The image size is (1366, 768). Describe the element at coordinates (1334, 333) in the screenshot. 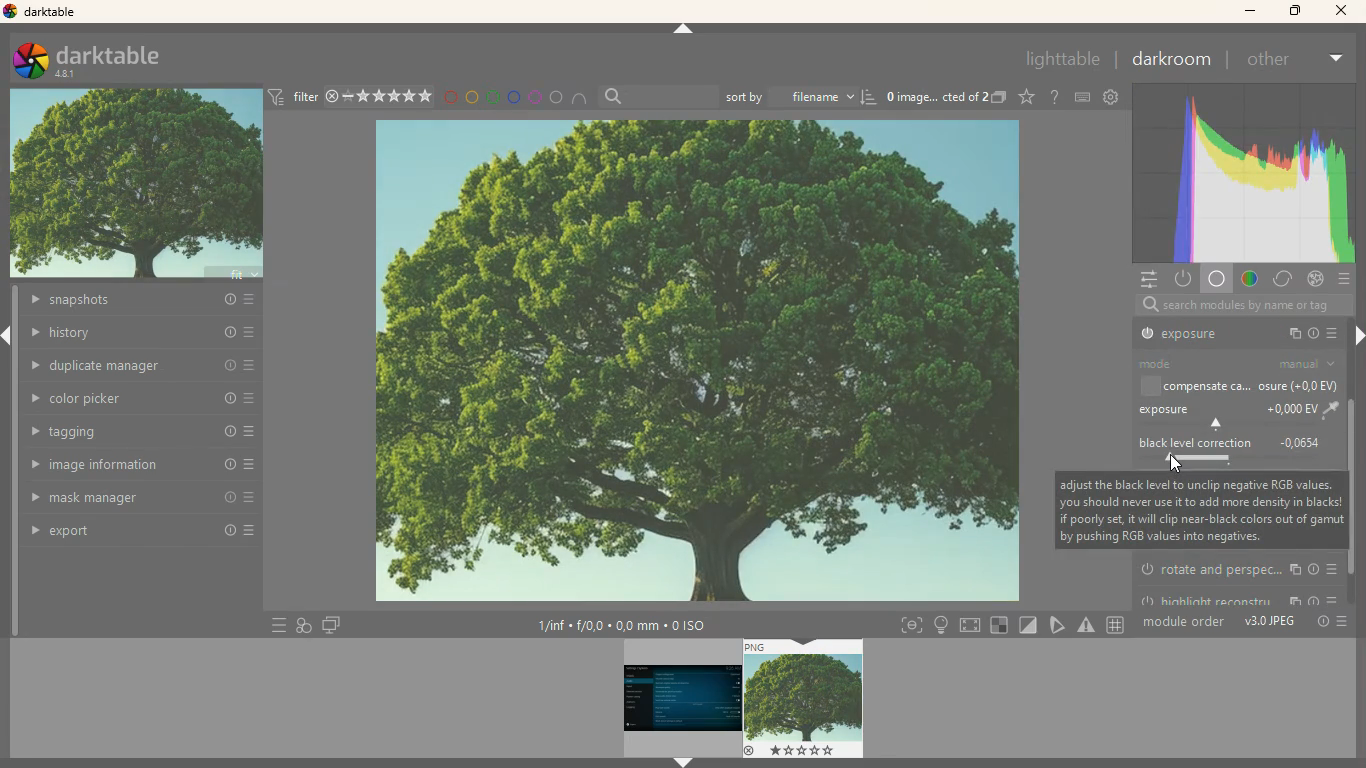

I see `more` at that location.